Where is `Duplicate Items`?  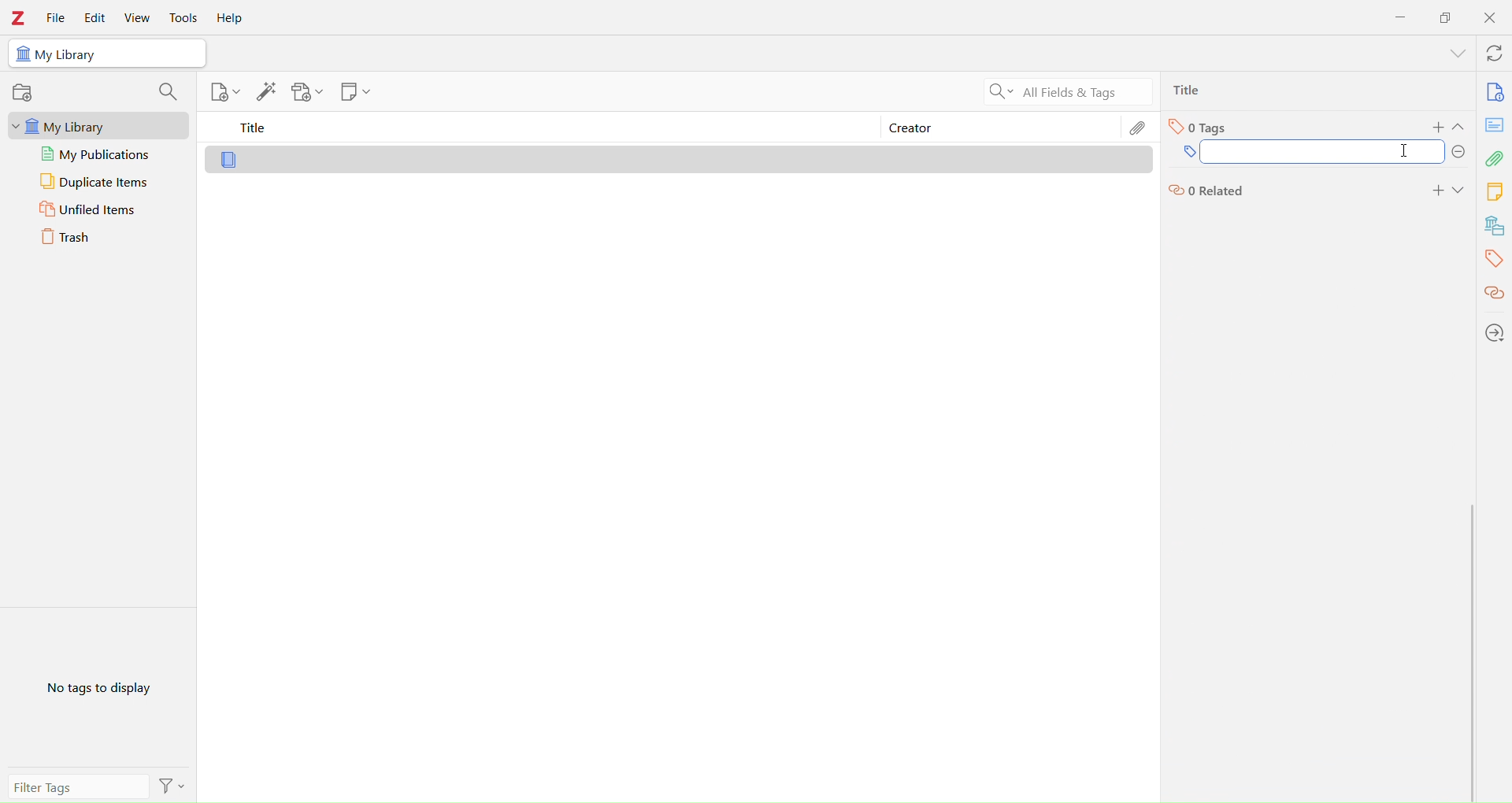
Duplicate Items is located at coordinates (99, 183).